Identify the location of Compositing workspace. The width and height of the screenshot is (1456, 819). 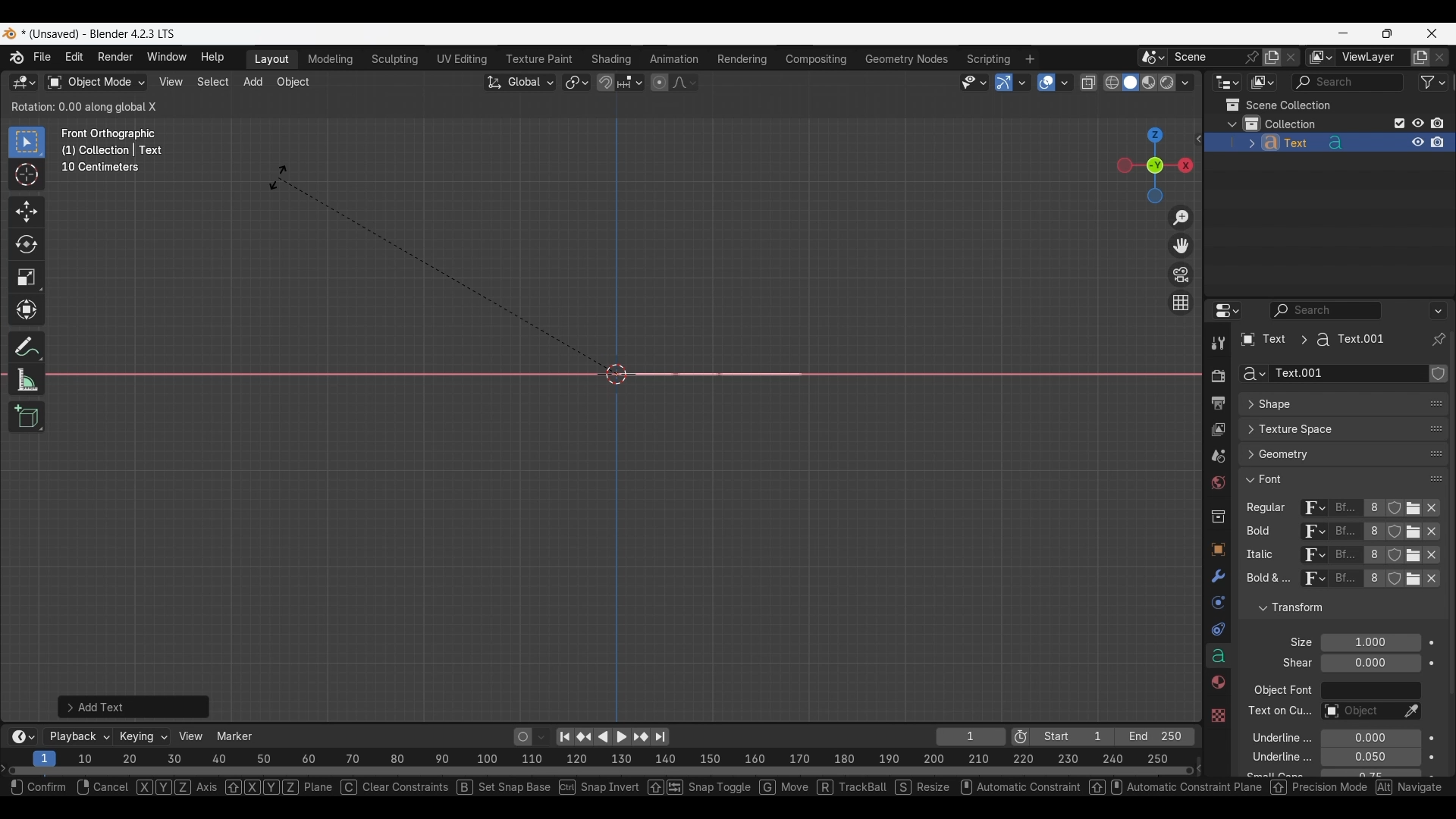
(817, 59).